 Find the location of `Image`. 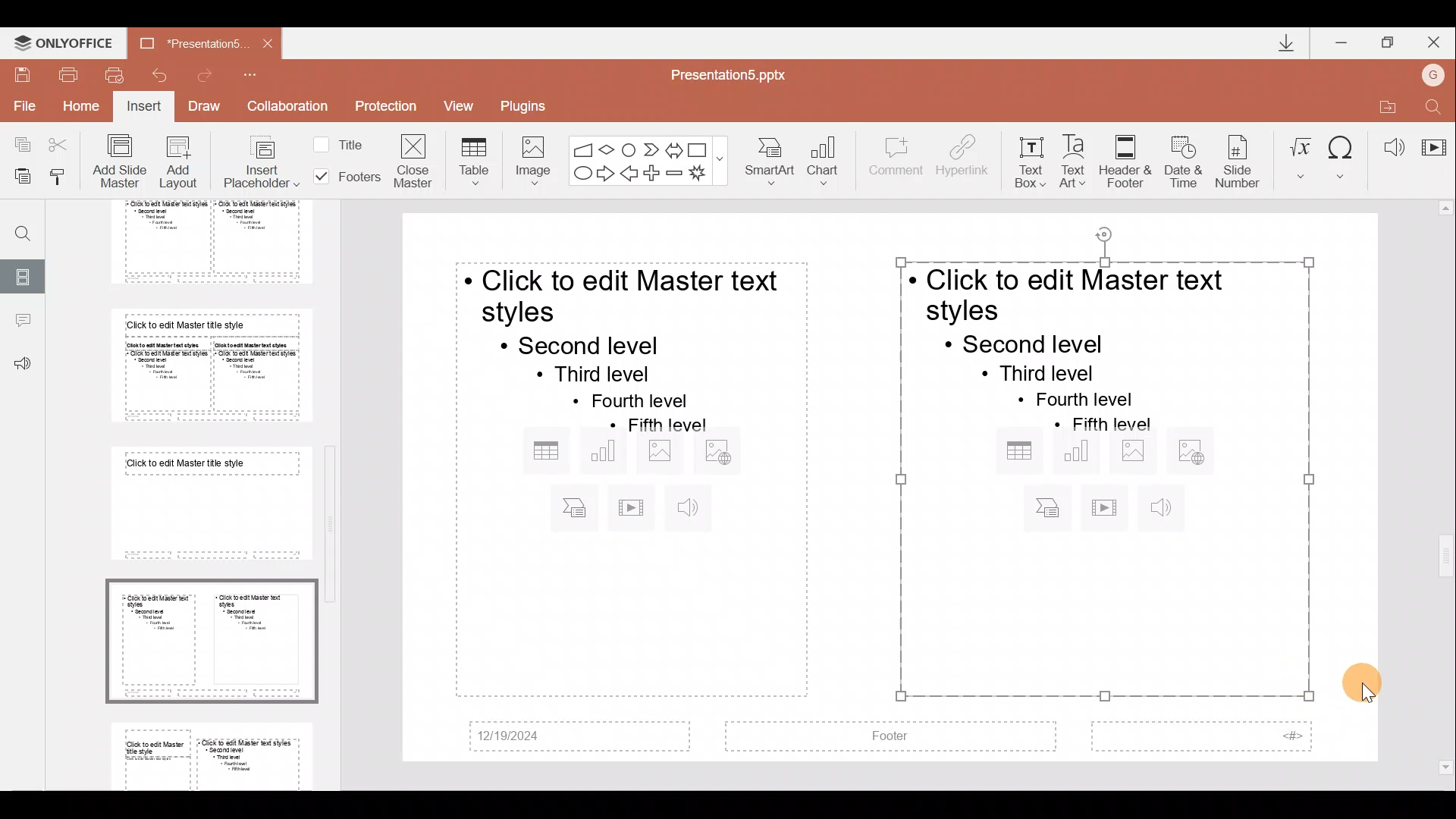

Image is located at coordinates (529, 158).